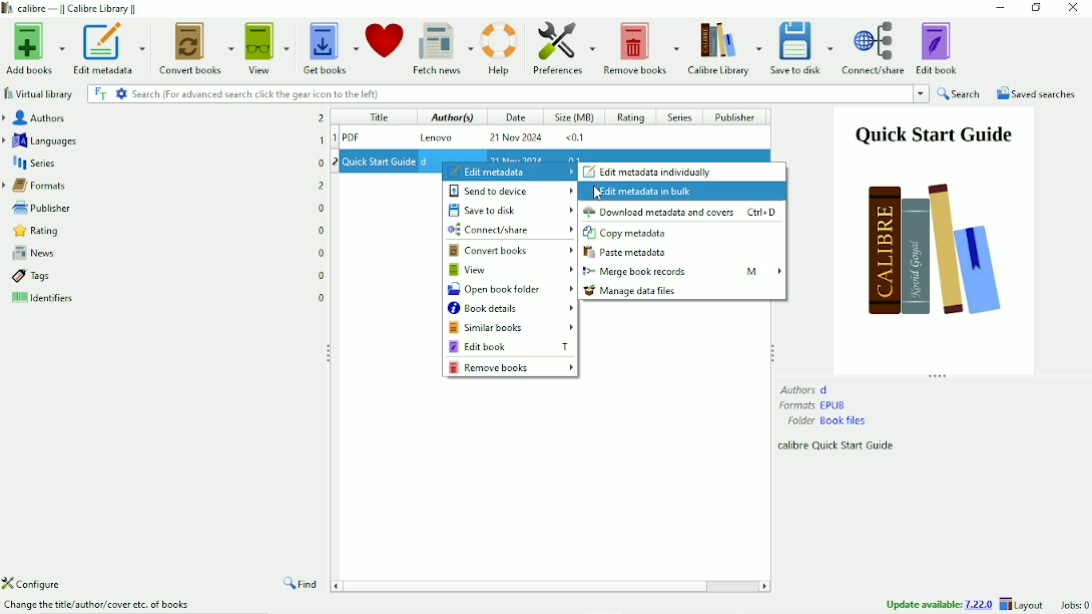  What do you see at coordinates (805, 389) in the screenshot?
I see `Authors` at bounding box center [805, 389].